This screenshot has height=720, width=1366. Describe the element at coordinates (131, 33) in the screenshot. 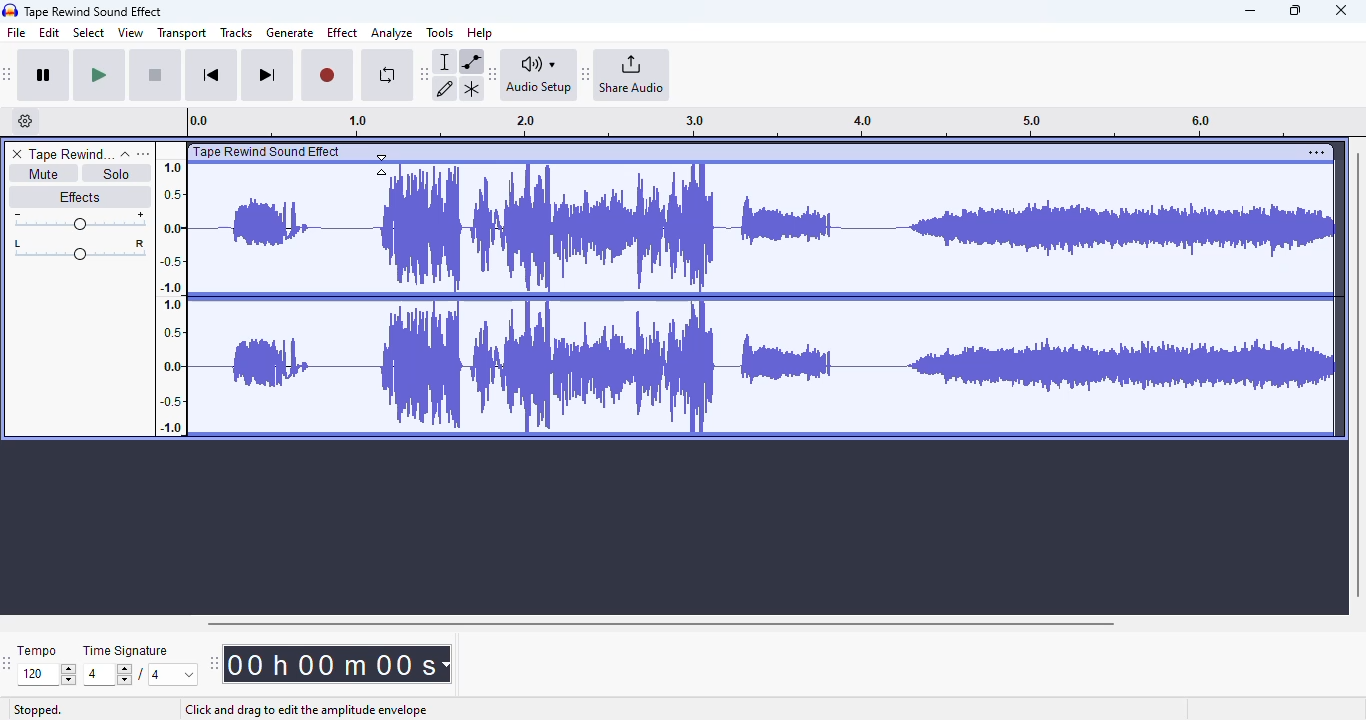

I see `view` at that location.